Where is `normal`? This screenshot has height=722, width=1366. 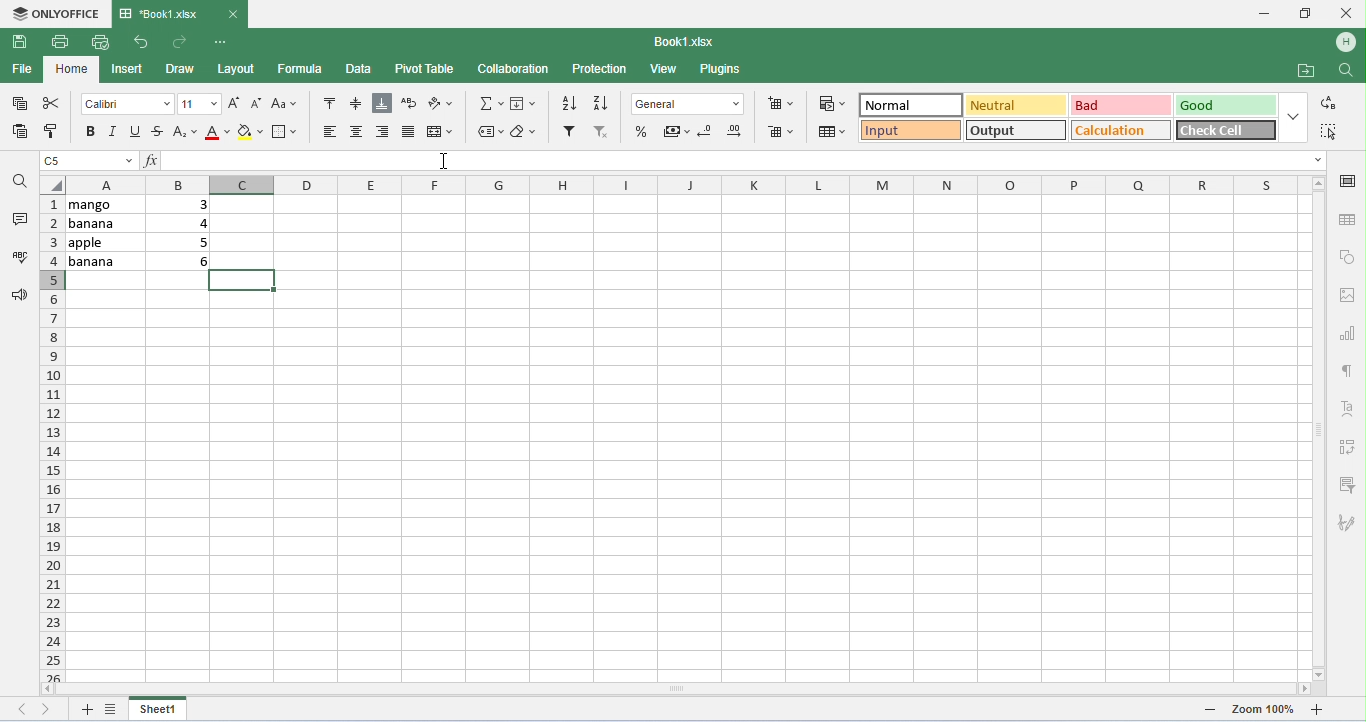
normal is located at coordinates (909, 105).